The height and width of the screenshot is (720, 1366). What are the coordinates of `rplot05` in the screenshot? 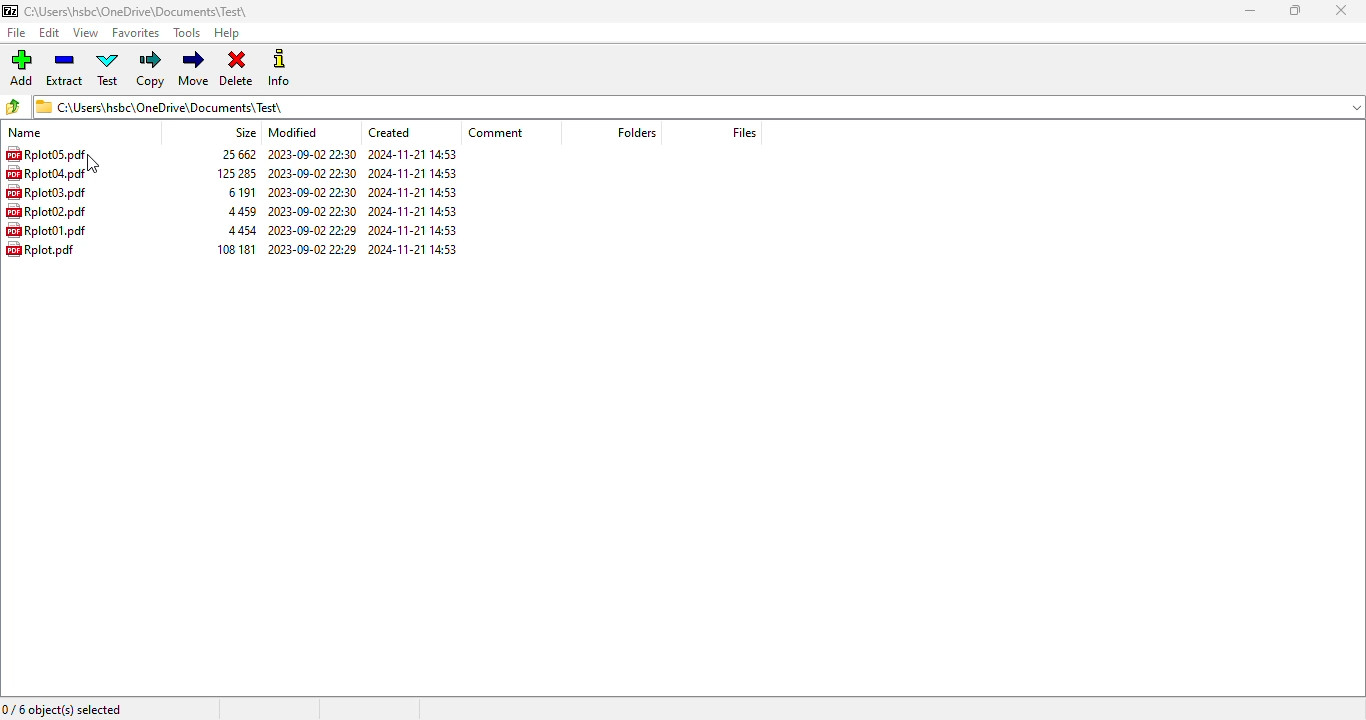 It's located at (45, 153).